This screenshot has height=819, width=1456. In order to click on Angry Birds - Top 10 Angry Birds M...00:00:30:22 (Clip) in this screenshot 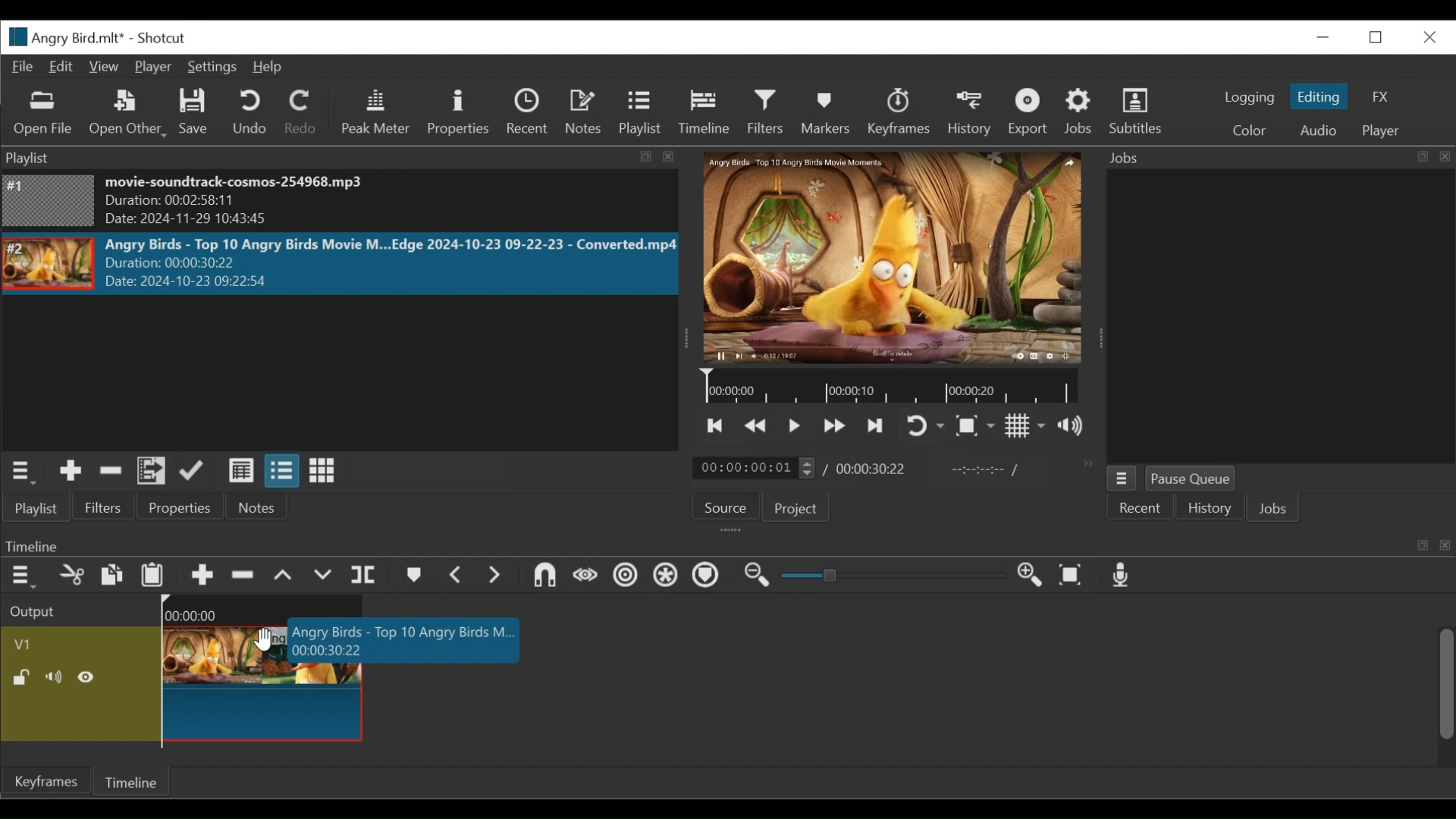, I will do `click(346, 690)`.